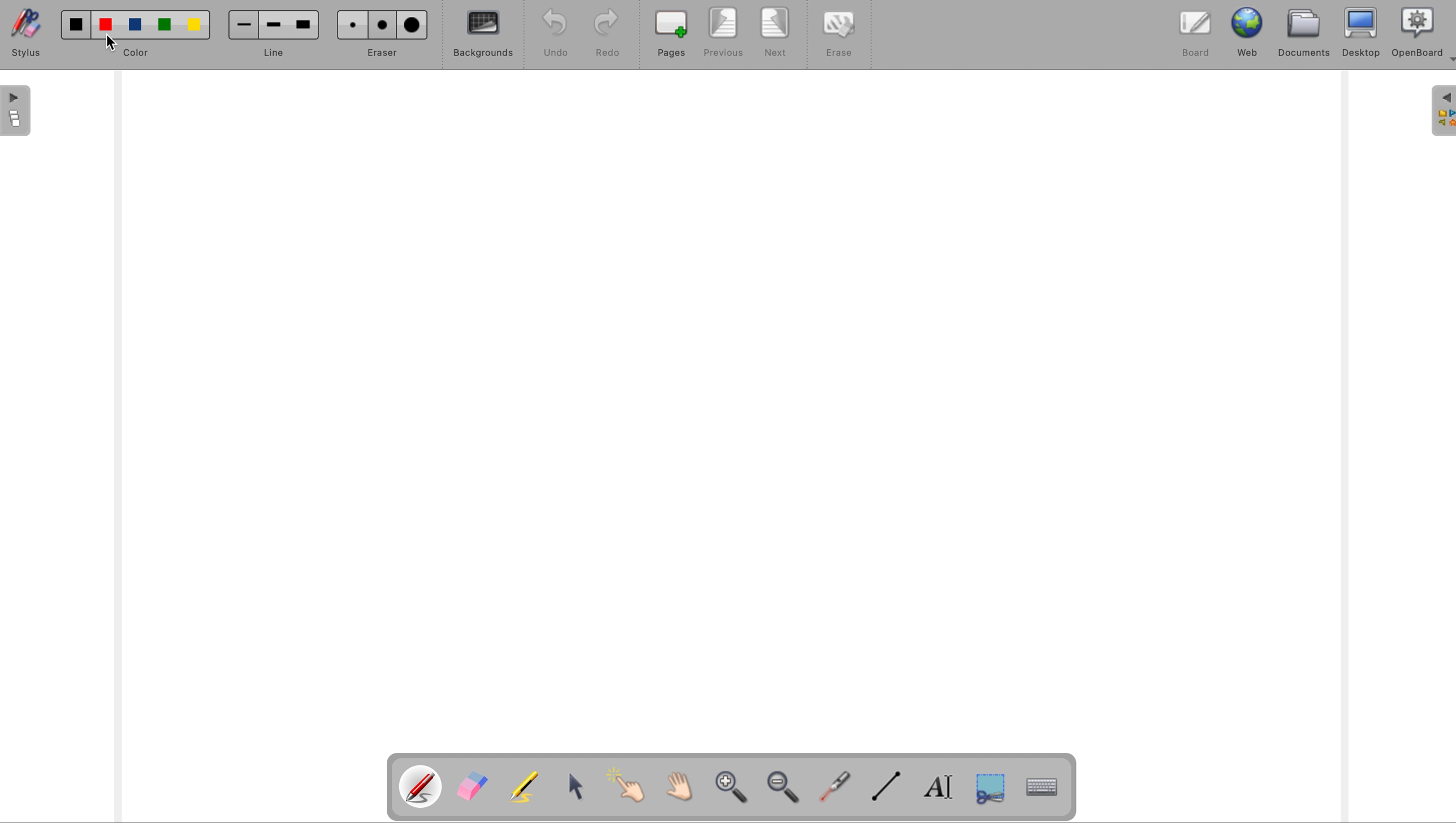 The width and height of the screenshot is (1456, 823). What do you see at coordinates (473, 787) in the screenshot?
I see `eraser` at bounding box center [473, 787].